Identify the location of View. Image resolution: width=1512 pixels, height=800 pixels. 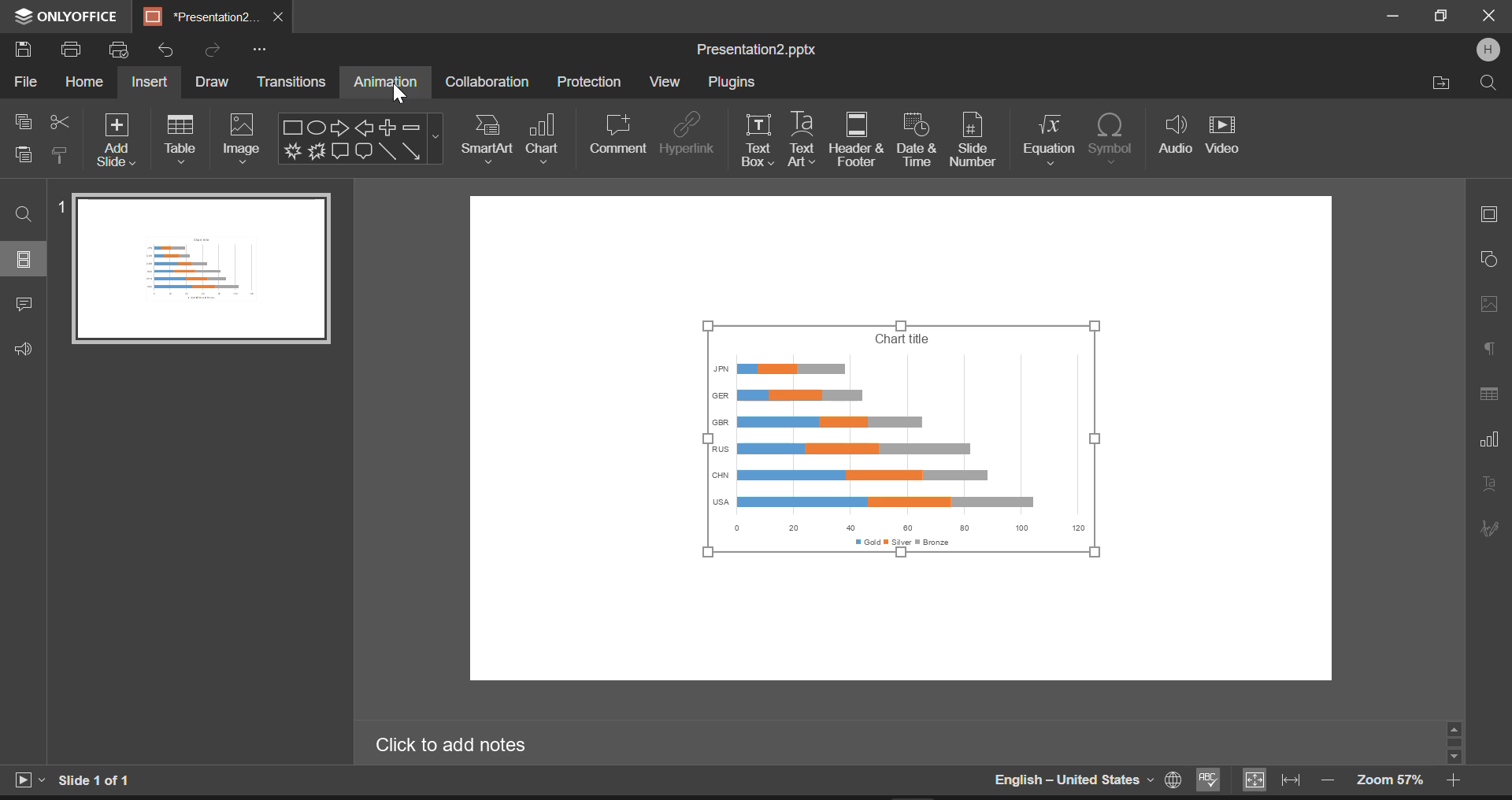
(665, 81).